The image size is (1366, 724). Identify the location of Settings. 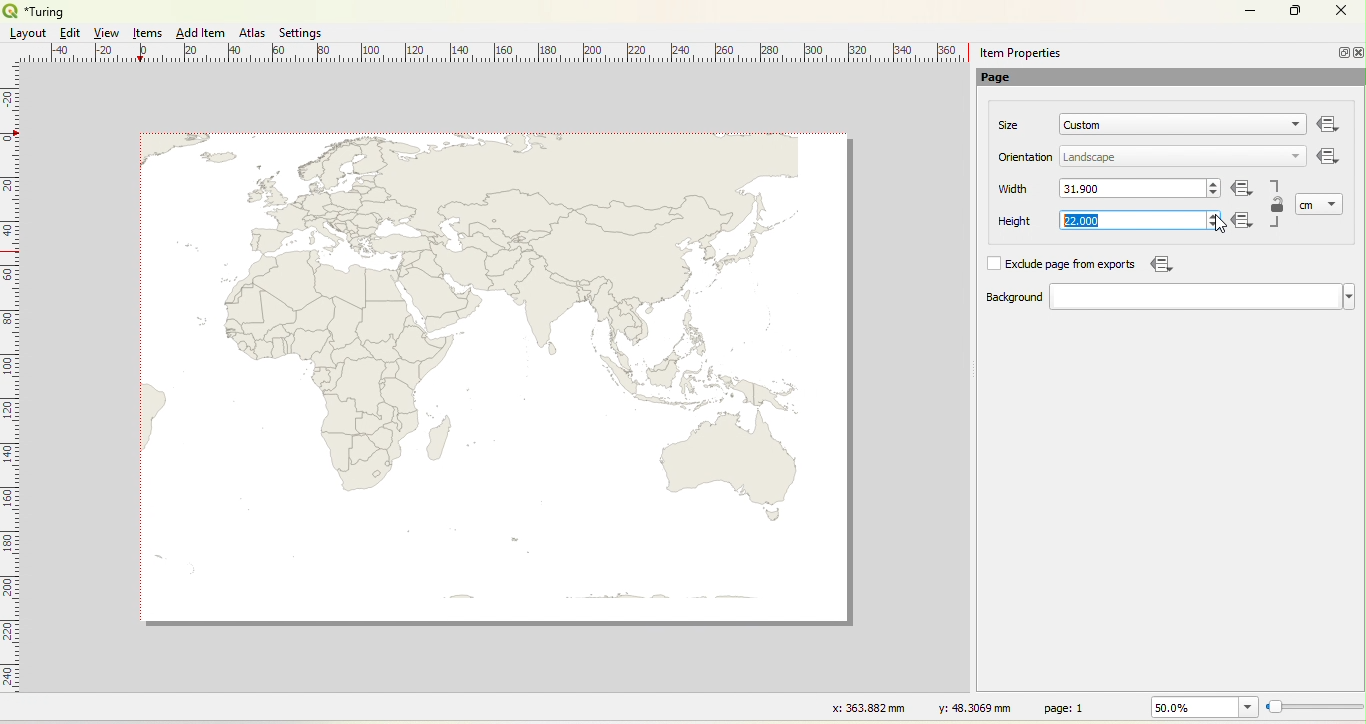
(302, 33).